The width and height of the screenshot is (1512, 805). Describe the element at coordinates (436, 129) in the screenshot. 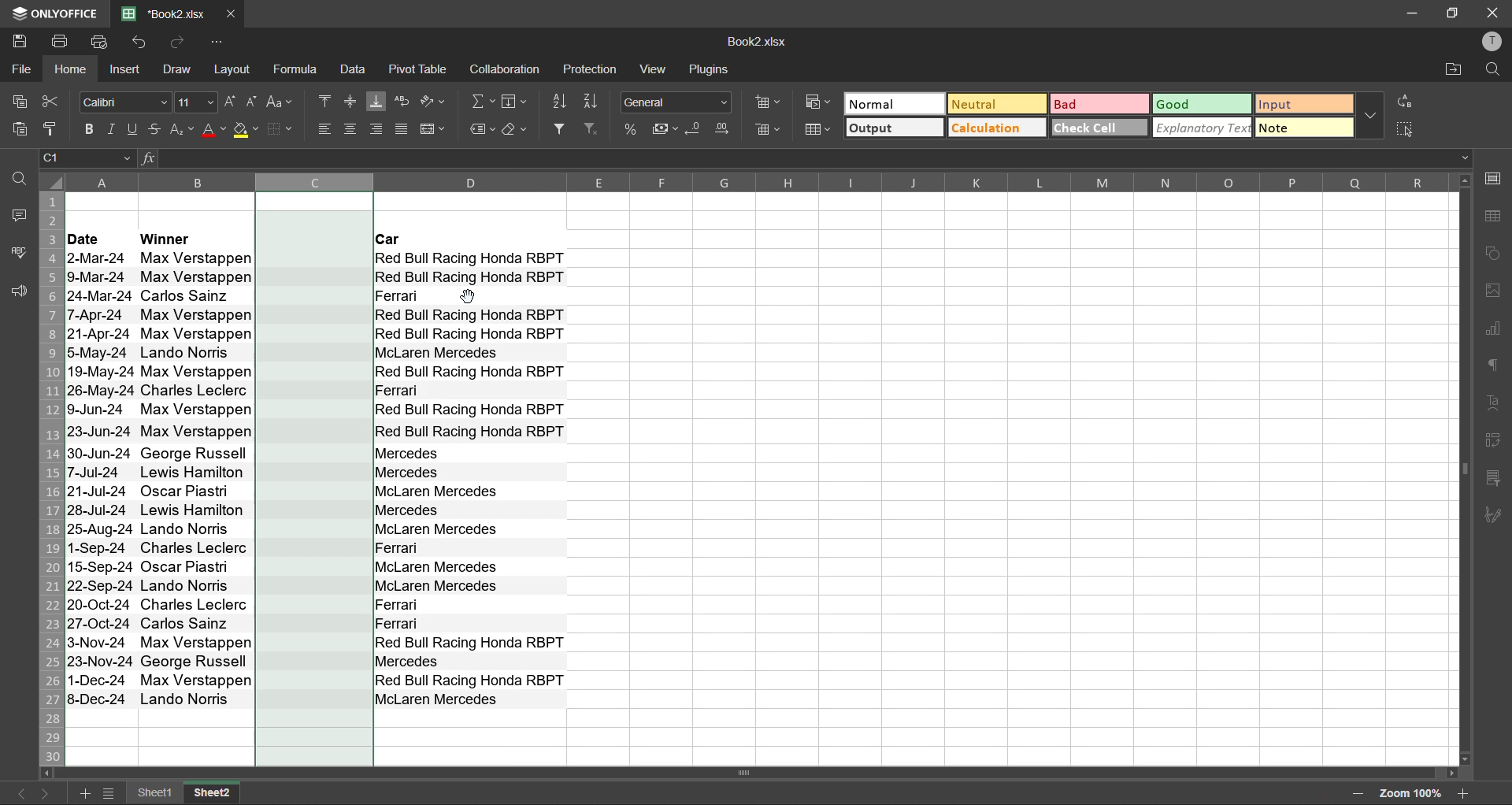

I see `merge and center` at that location.